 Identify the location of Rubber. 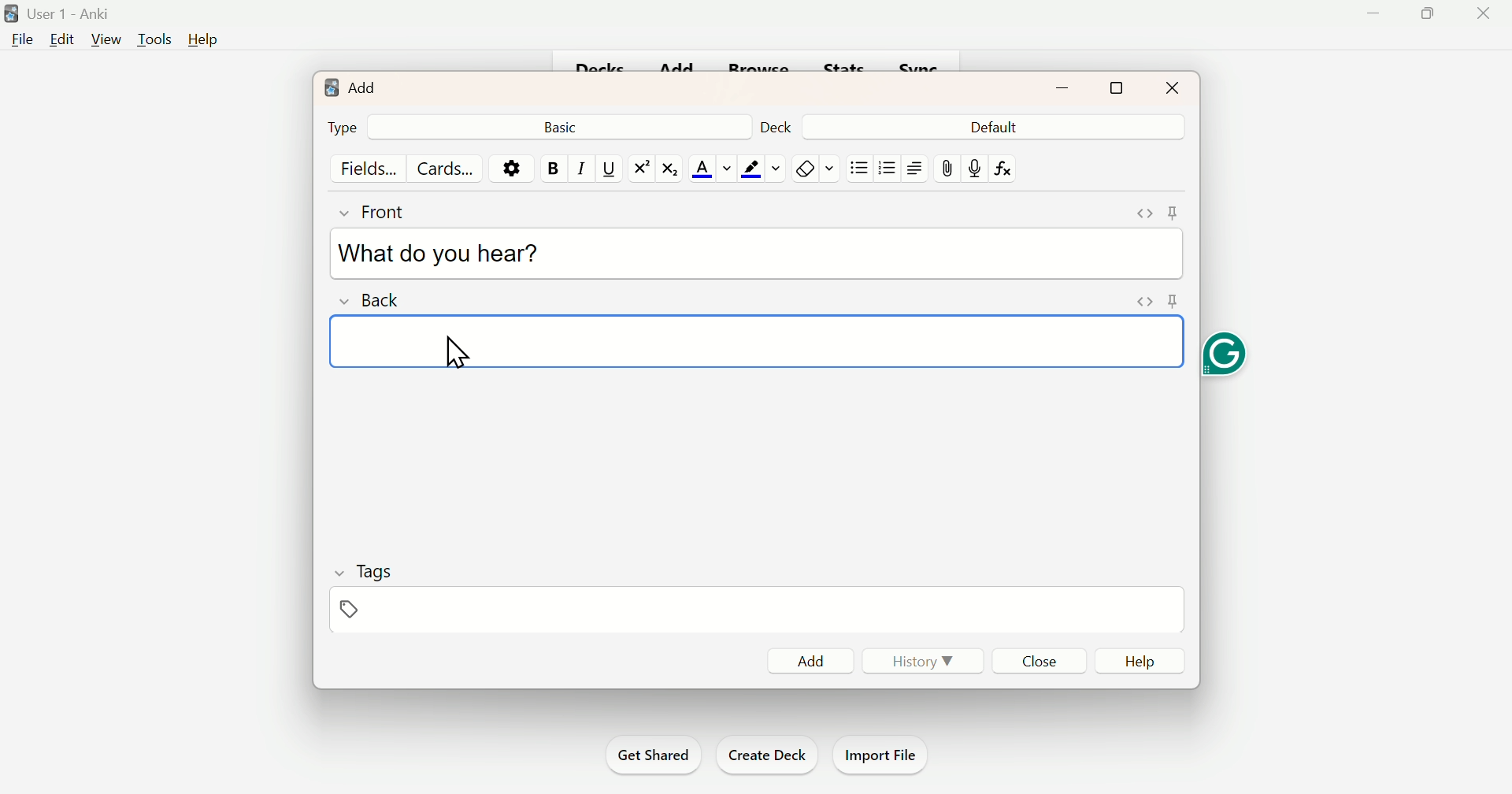
(816, 167).